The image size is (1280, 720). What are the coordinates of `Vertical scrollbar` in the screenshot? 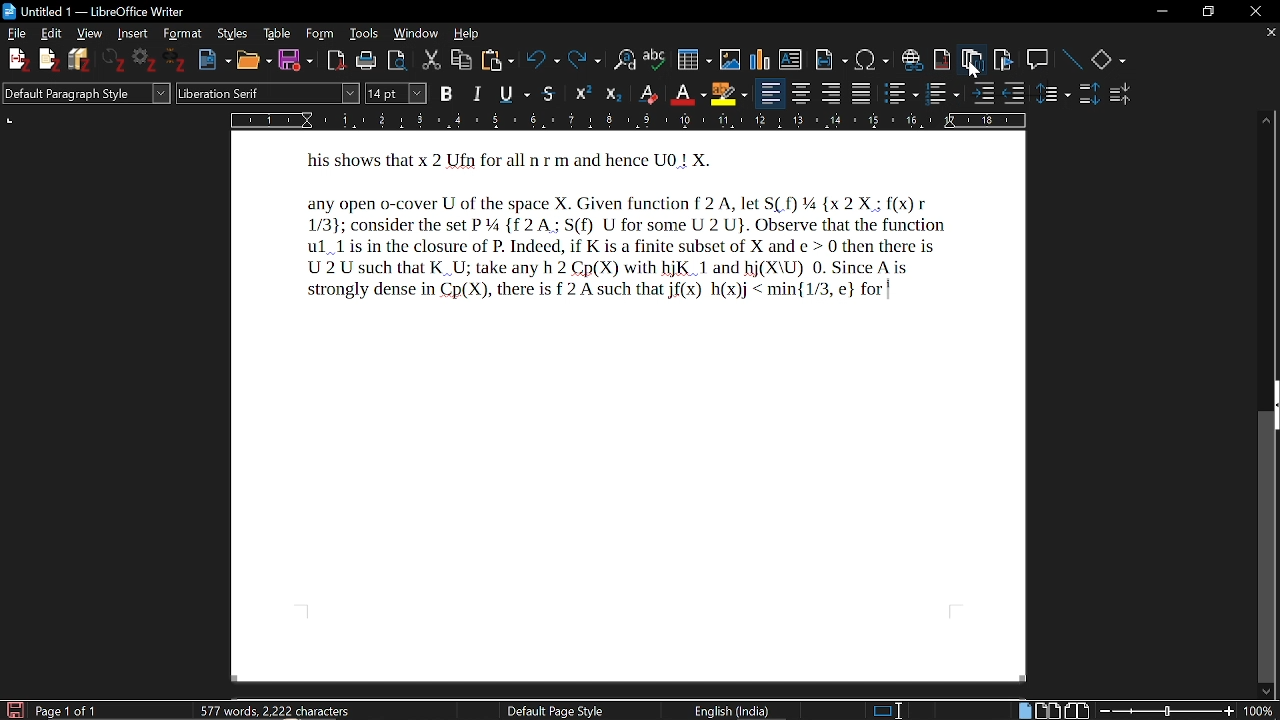 It's located at (1269, 547).